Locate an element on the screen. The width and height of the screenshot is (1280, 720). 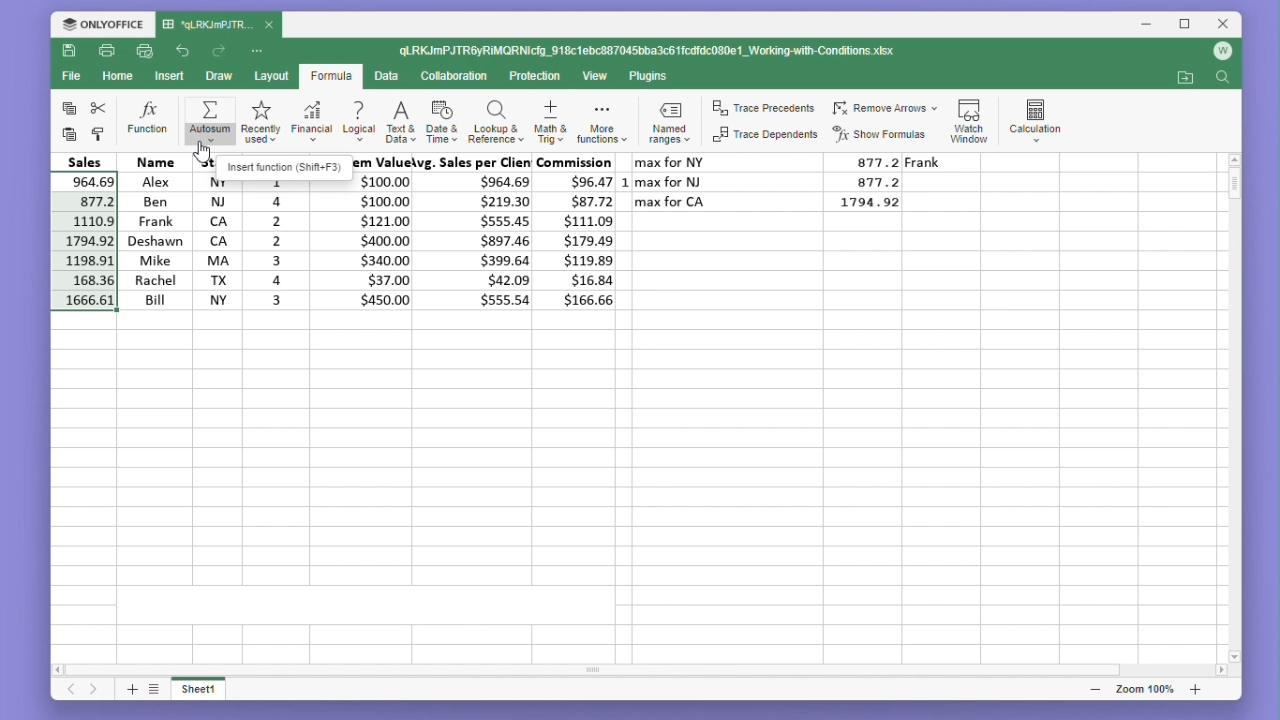
Named ranges is located at coordinates (673, 121).